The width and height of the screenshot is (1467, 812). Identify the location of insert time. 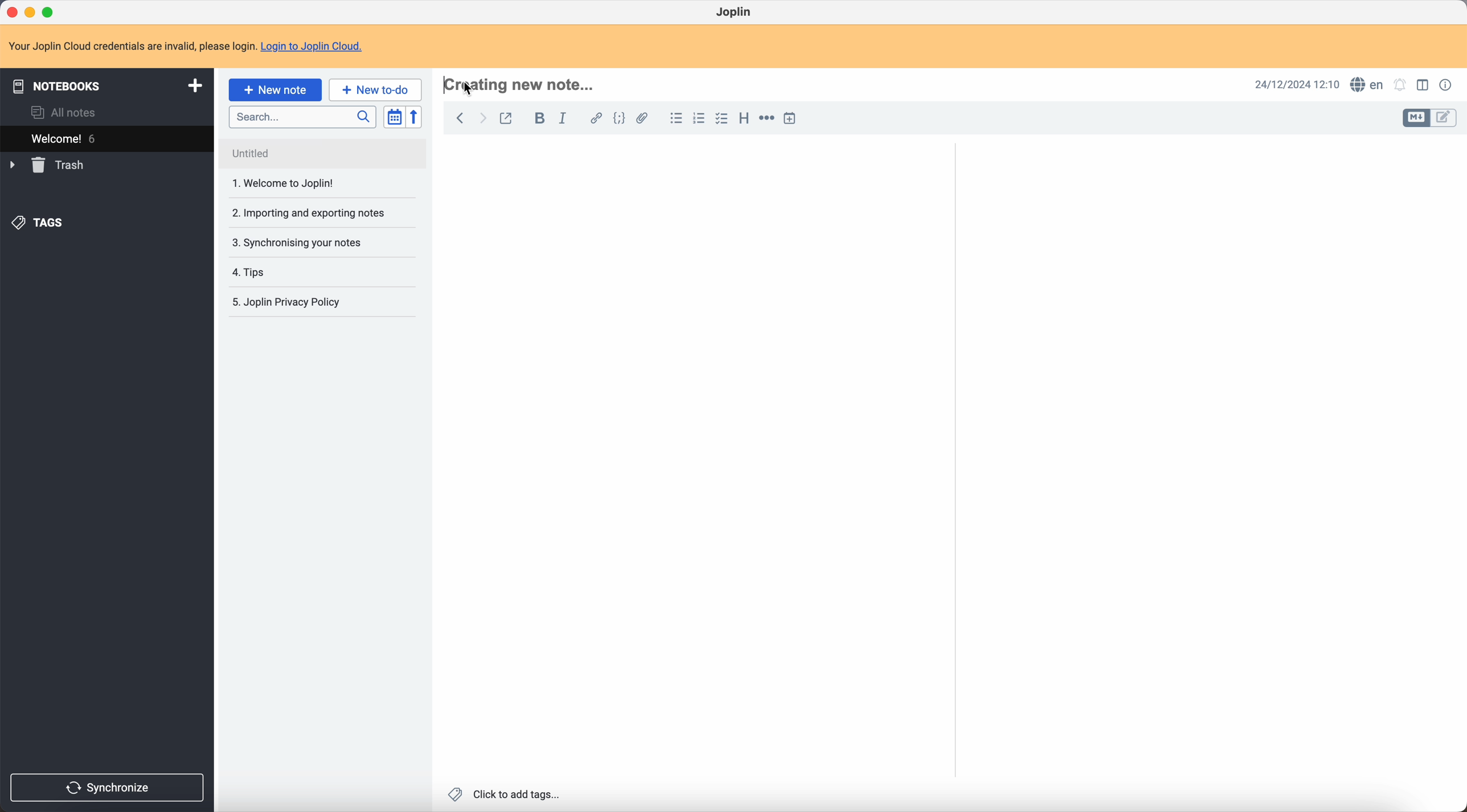
(792, 118).